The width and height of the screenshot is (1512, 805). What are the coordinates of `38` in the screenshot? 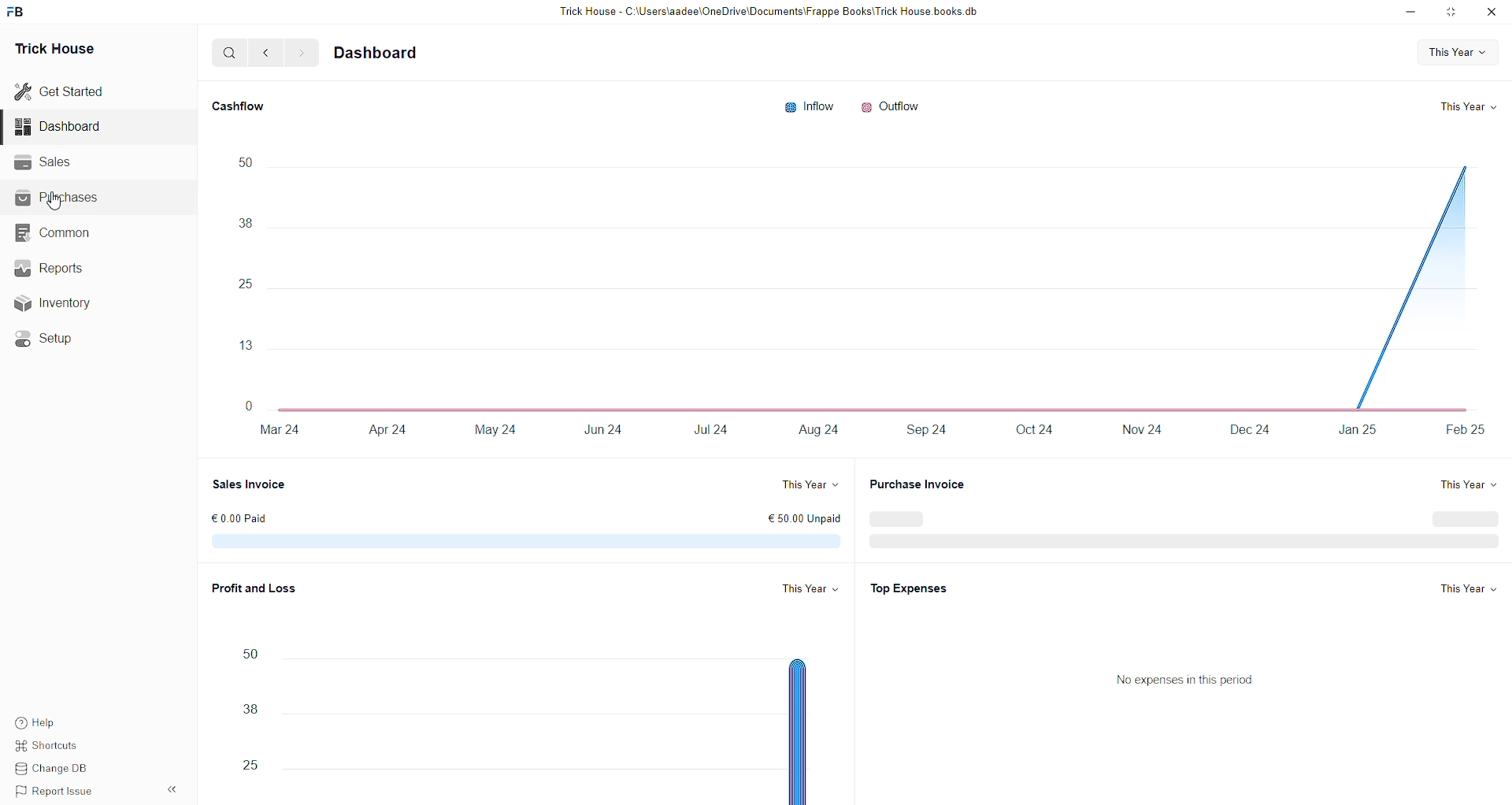 It's located at (245, 223).